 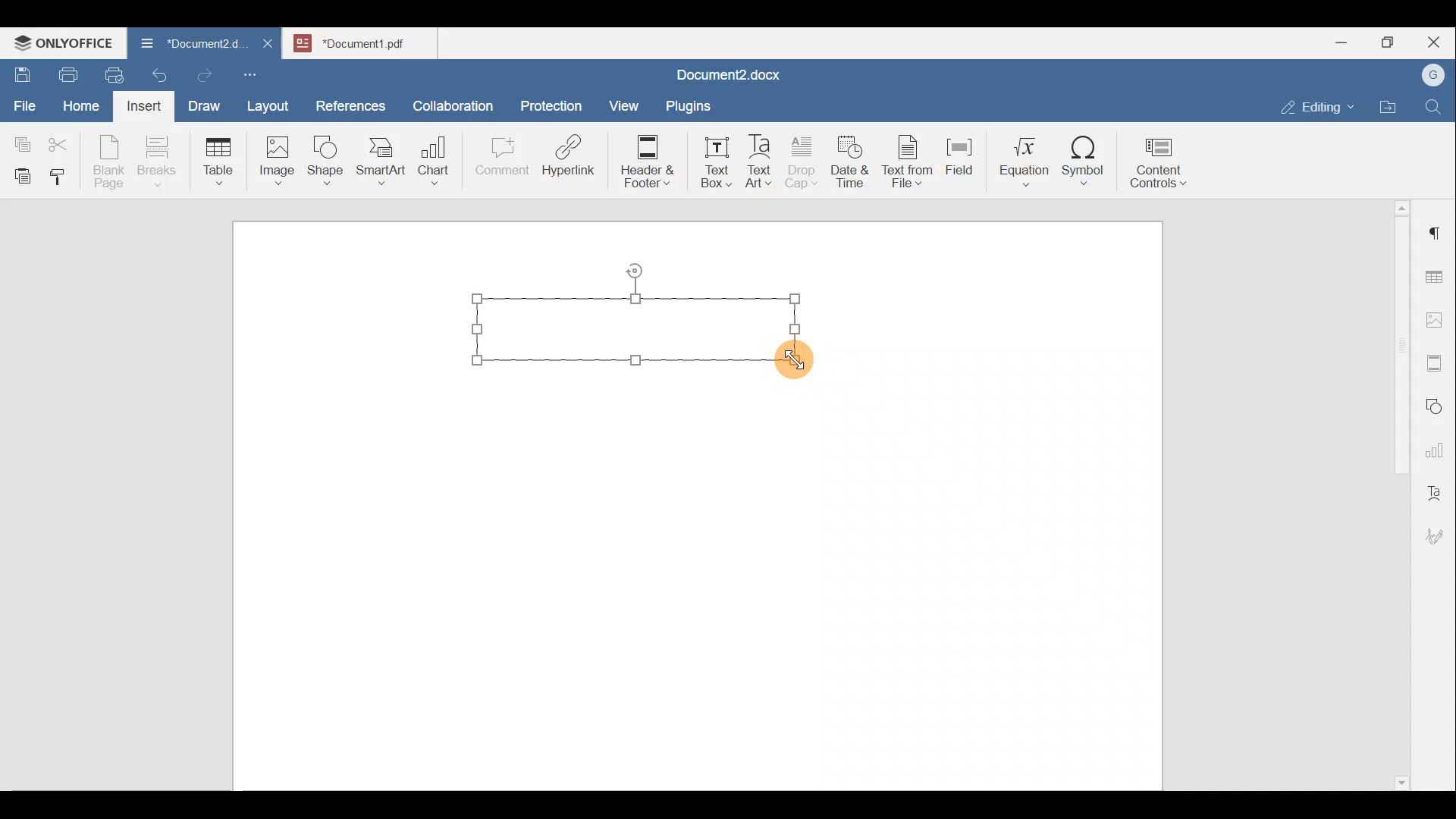 What do you see at coordinates (64, 42) in the screenshot?
I see `ONLYOFFICE` at bounding box center [64, 42].